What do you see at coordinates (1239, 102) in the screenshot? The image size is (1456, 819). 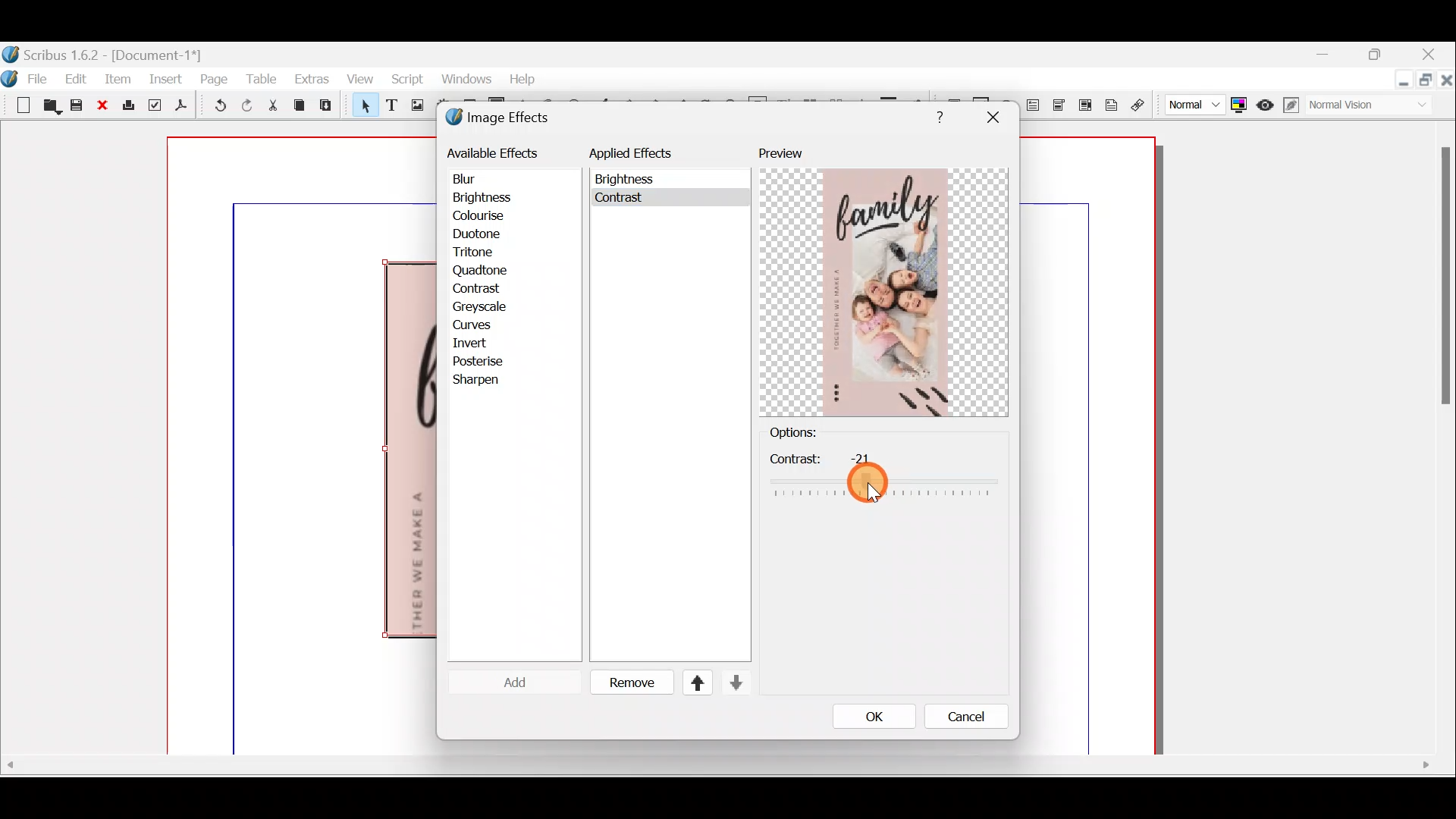 I see `Toggle colour management system` at bounding box center [1239, 102].